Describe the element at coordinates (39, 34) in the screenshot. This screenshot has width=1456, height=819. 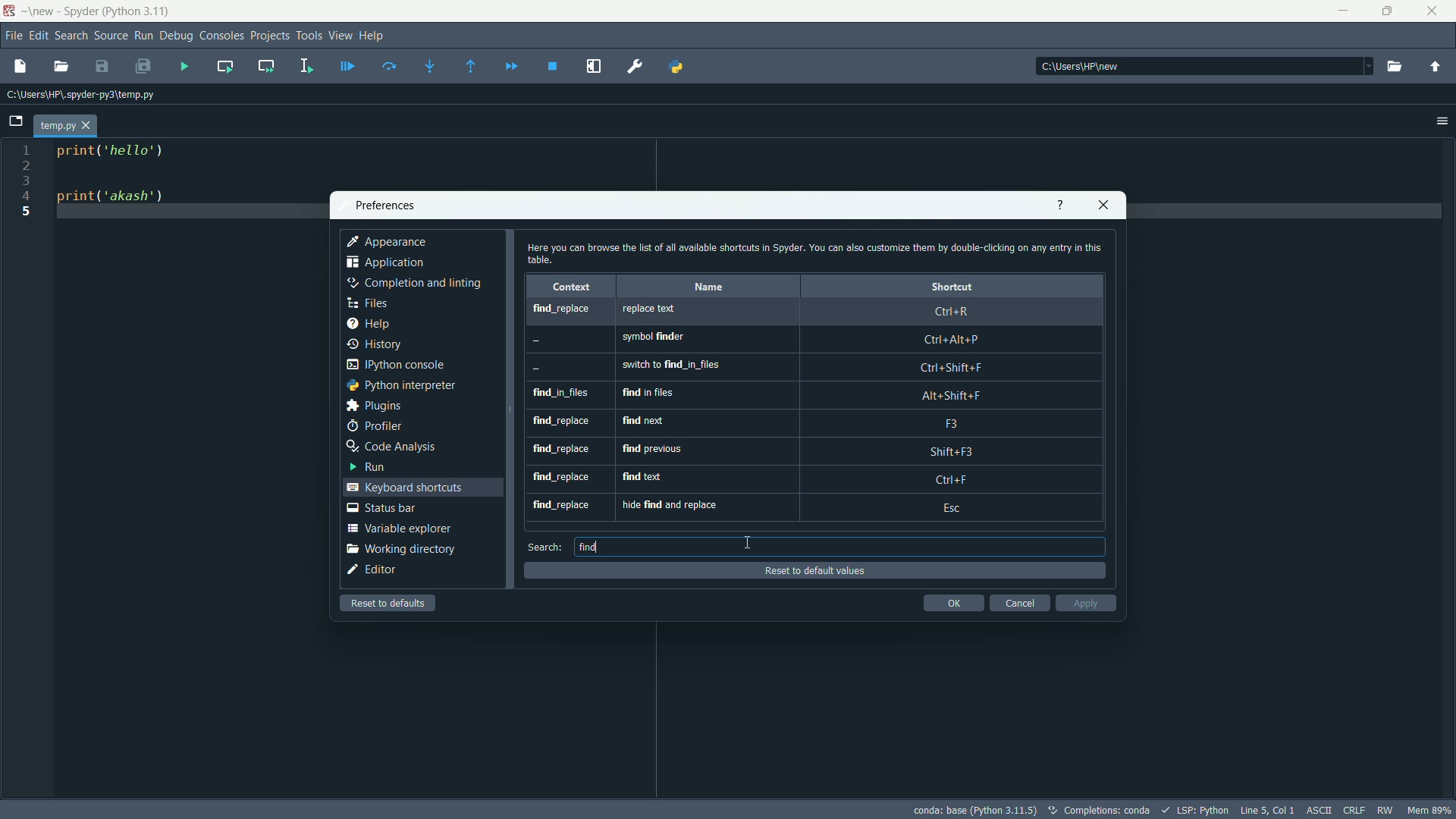
I see `edit menu` at that location.